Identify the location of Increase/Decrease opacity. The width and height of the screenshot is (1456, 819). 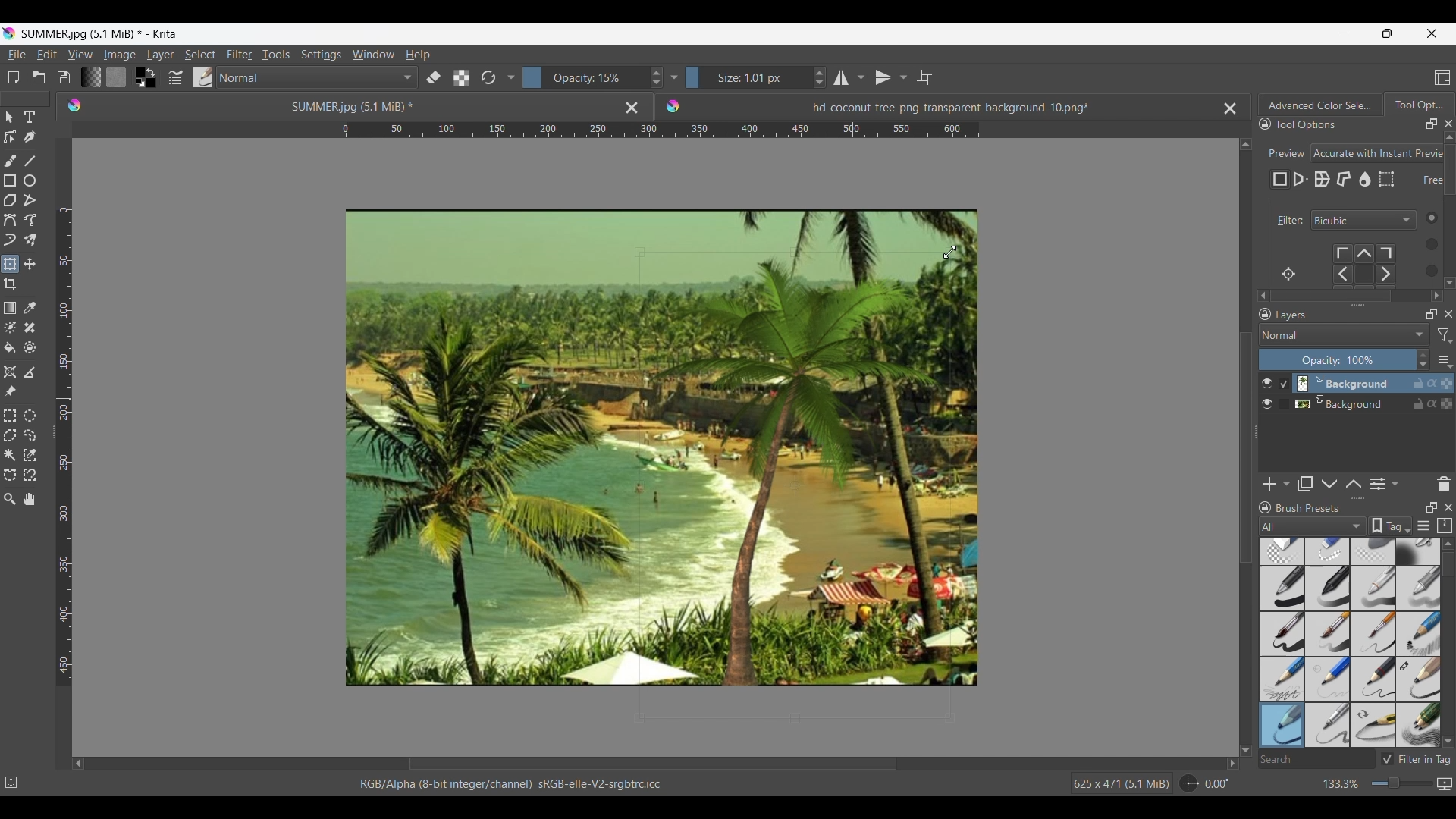
(593, 77).